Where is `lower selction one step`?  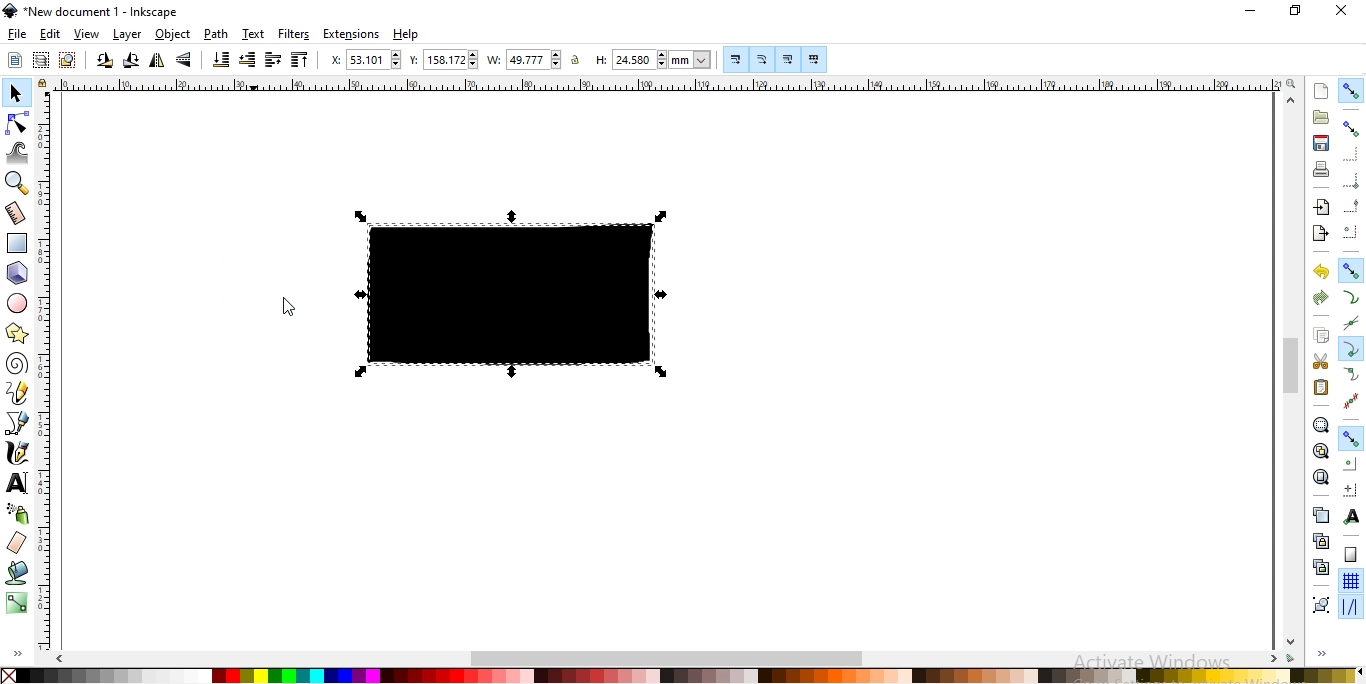 lower selction one step is located at coordinates (246, 59).